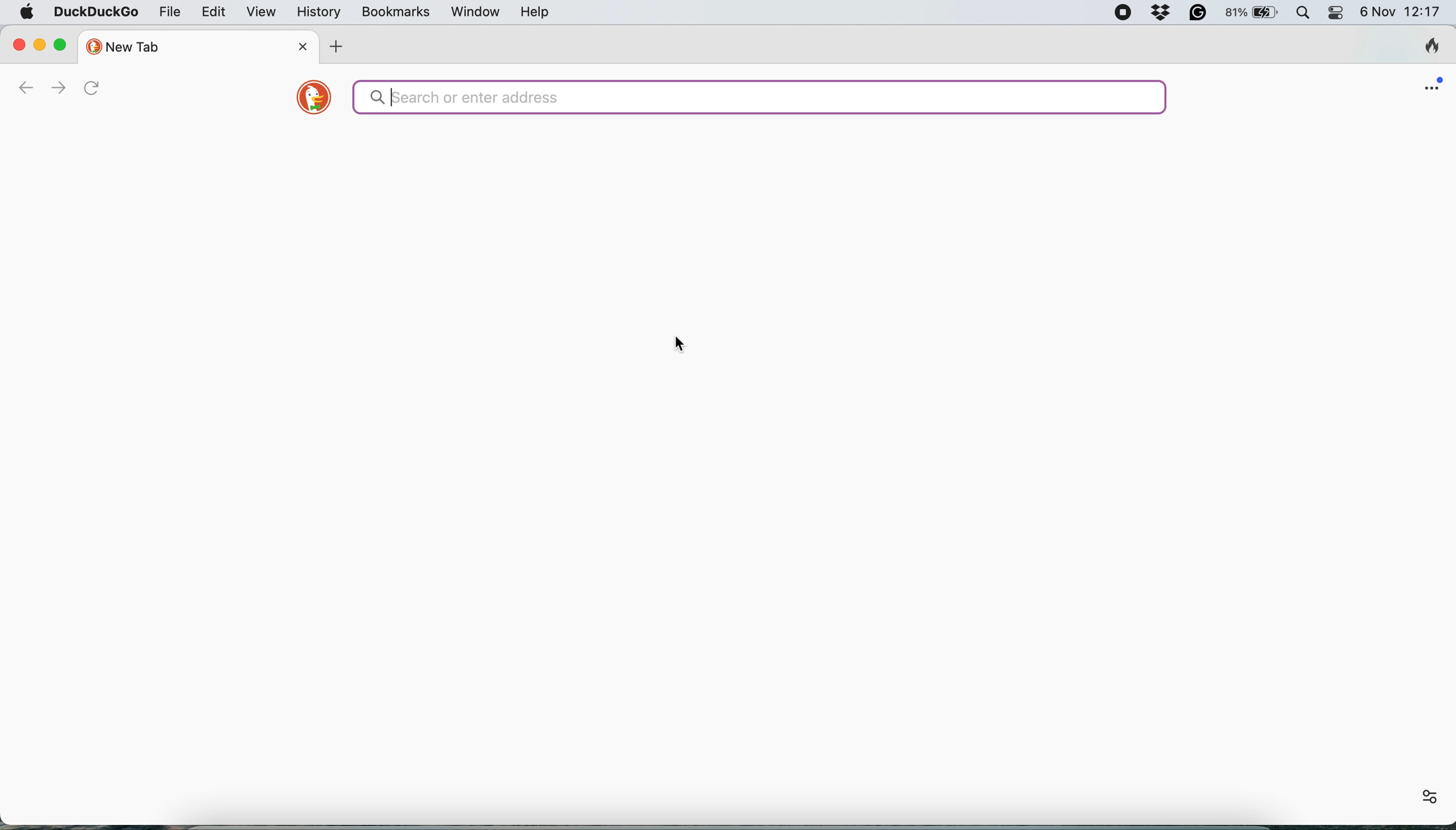  Describe the element at coordinates (95, 89) in the screenshot. I see `refresh` at that location.